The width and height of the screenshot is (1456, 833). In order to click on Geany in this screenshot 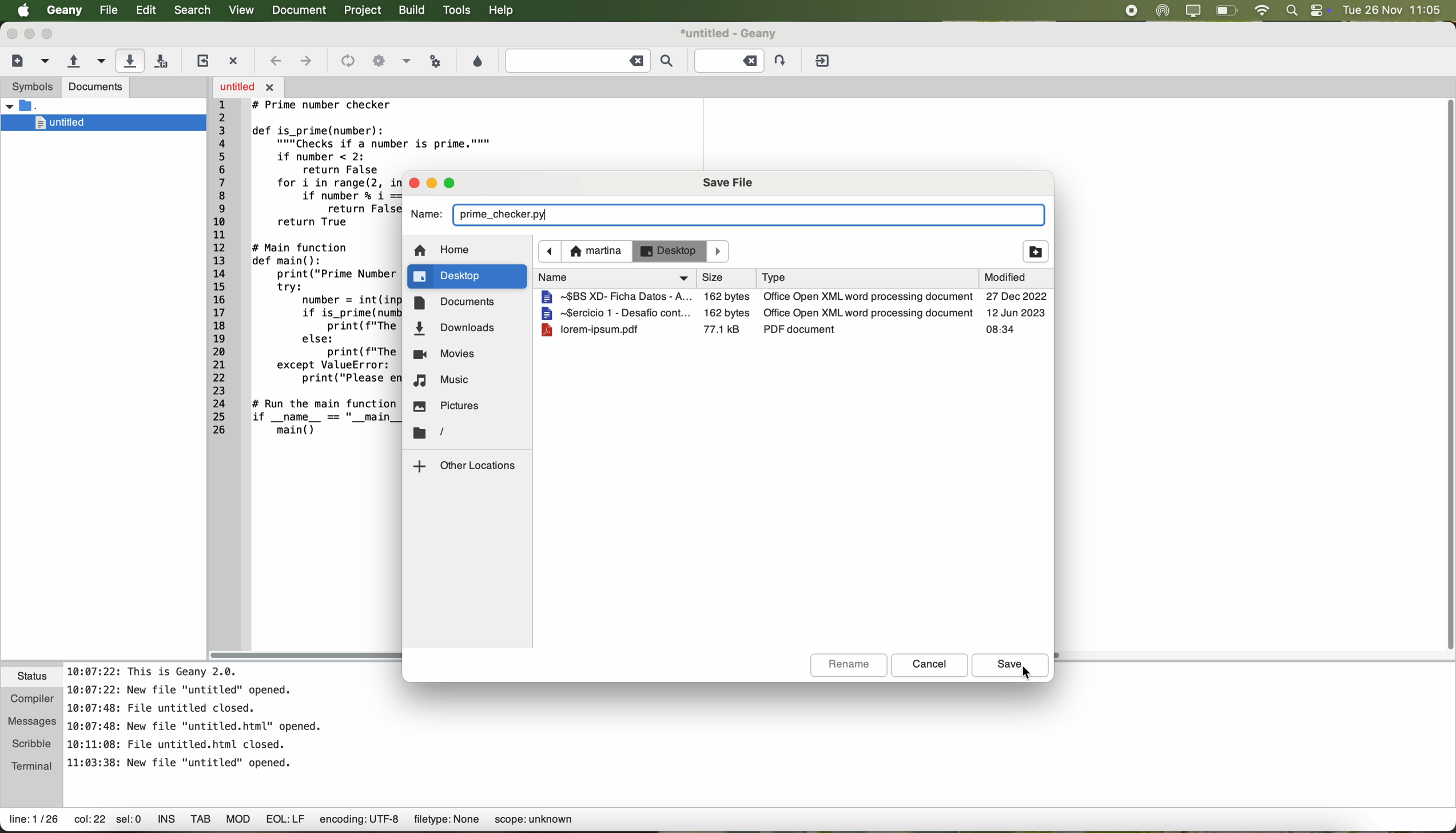, I will do `click(63, 11)`.